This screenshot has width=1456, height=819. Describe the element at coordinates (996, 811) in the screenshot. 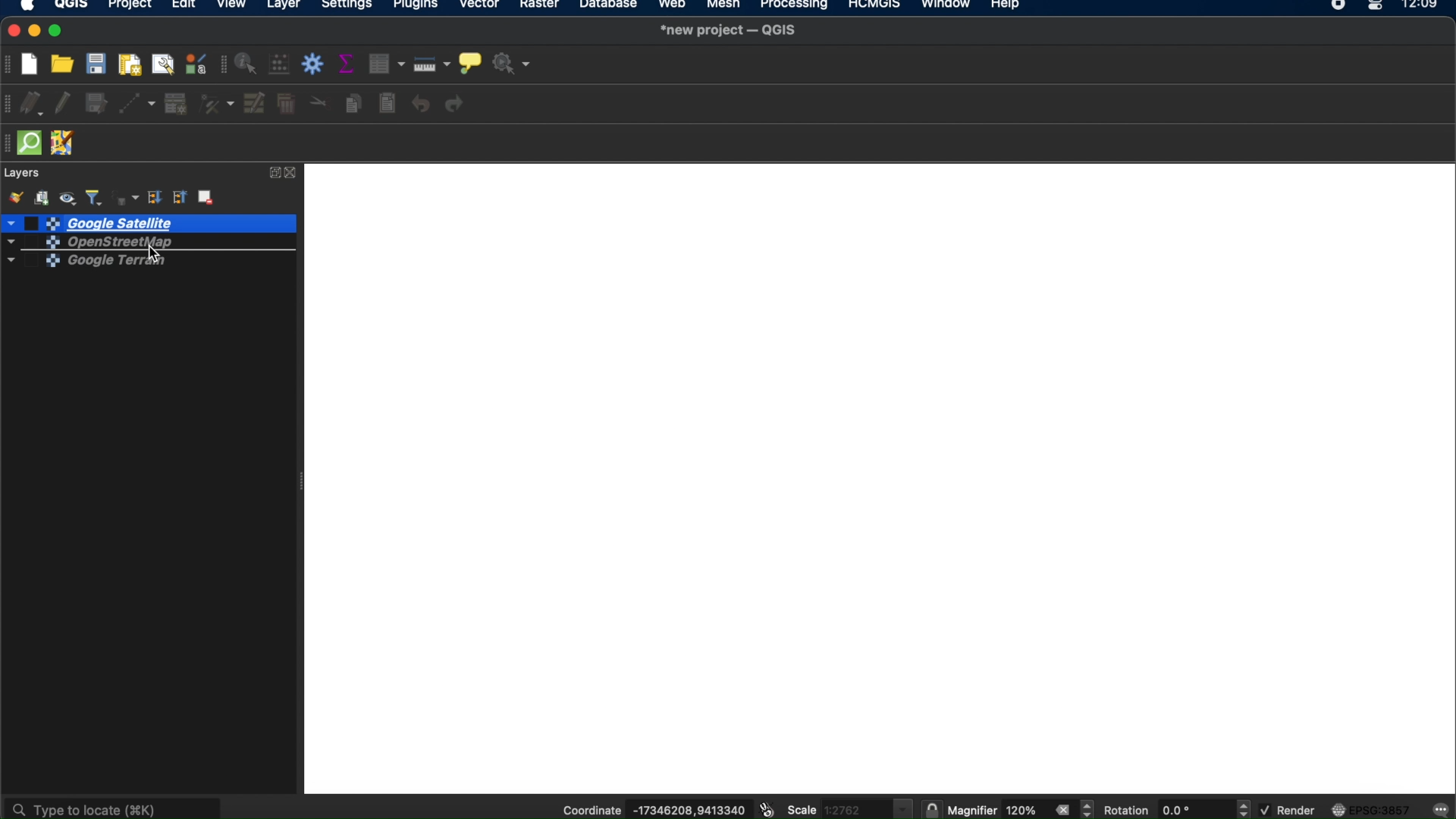

I see `magnifier 120%` at that location.